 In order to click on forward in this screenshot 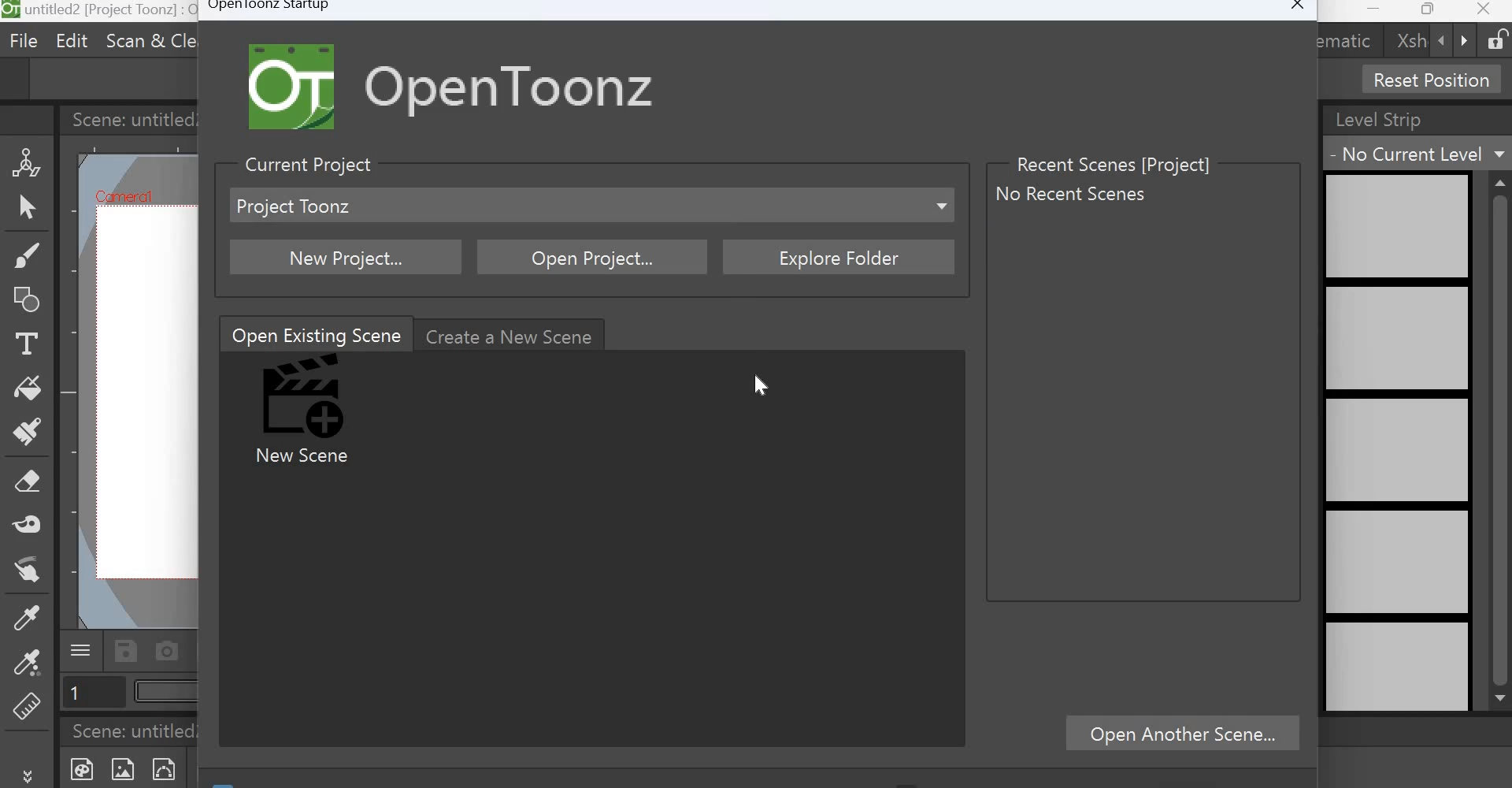, I will do `click(1462, 39)`.